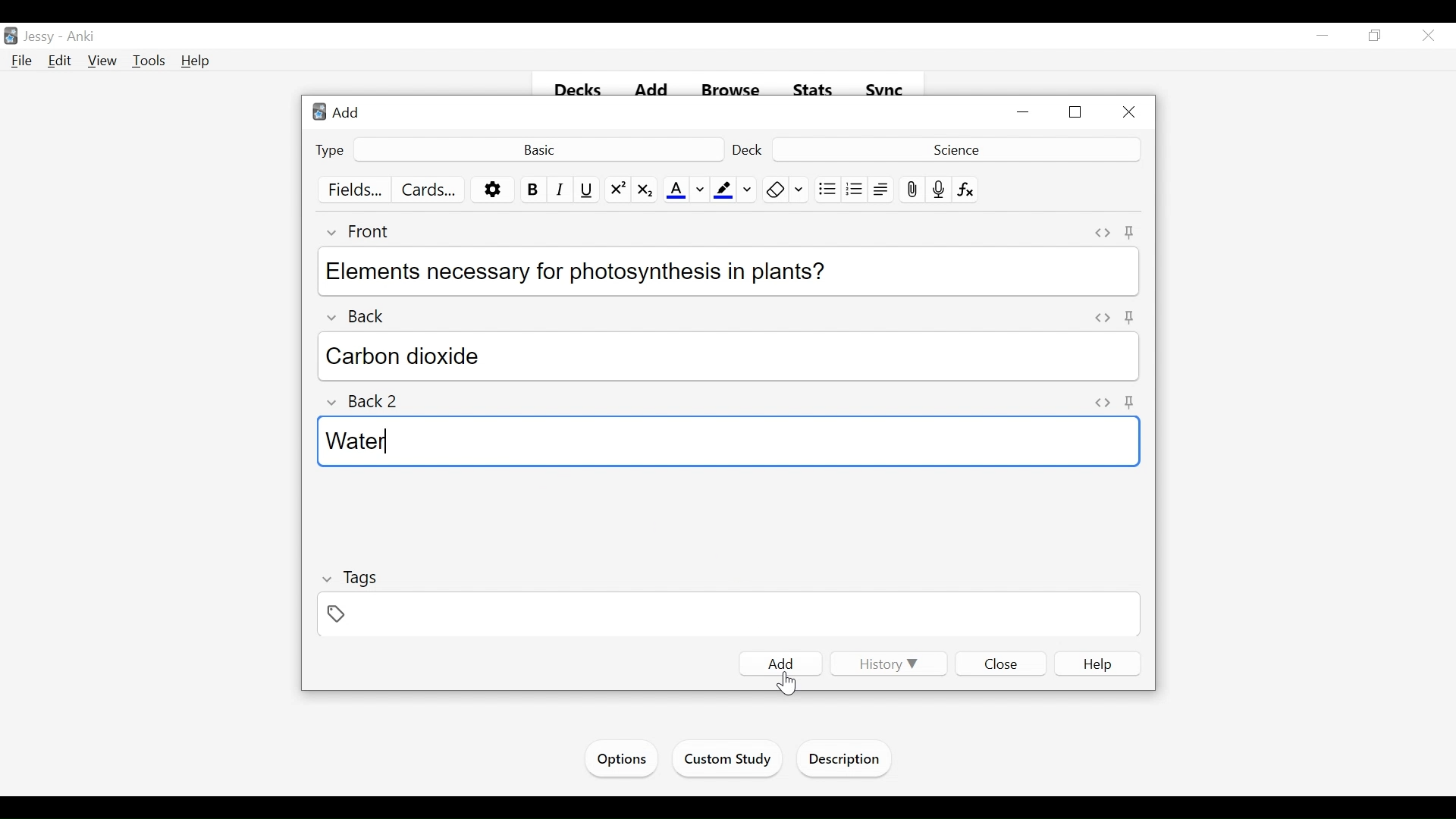 Image resolution: width=1456 pixels, height=819 pixels. Describe the element at coordinates (1025, 113) in the screenshot. I see `Minimize` at that location.